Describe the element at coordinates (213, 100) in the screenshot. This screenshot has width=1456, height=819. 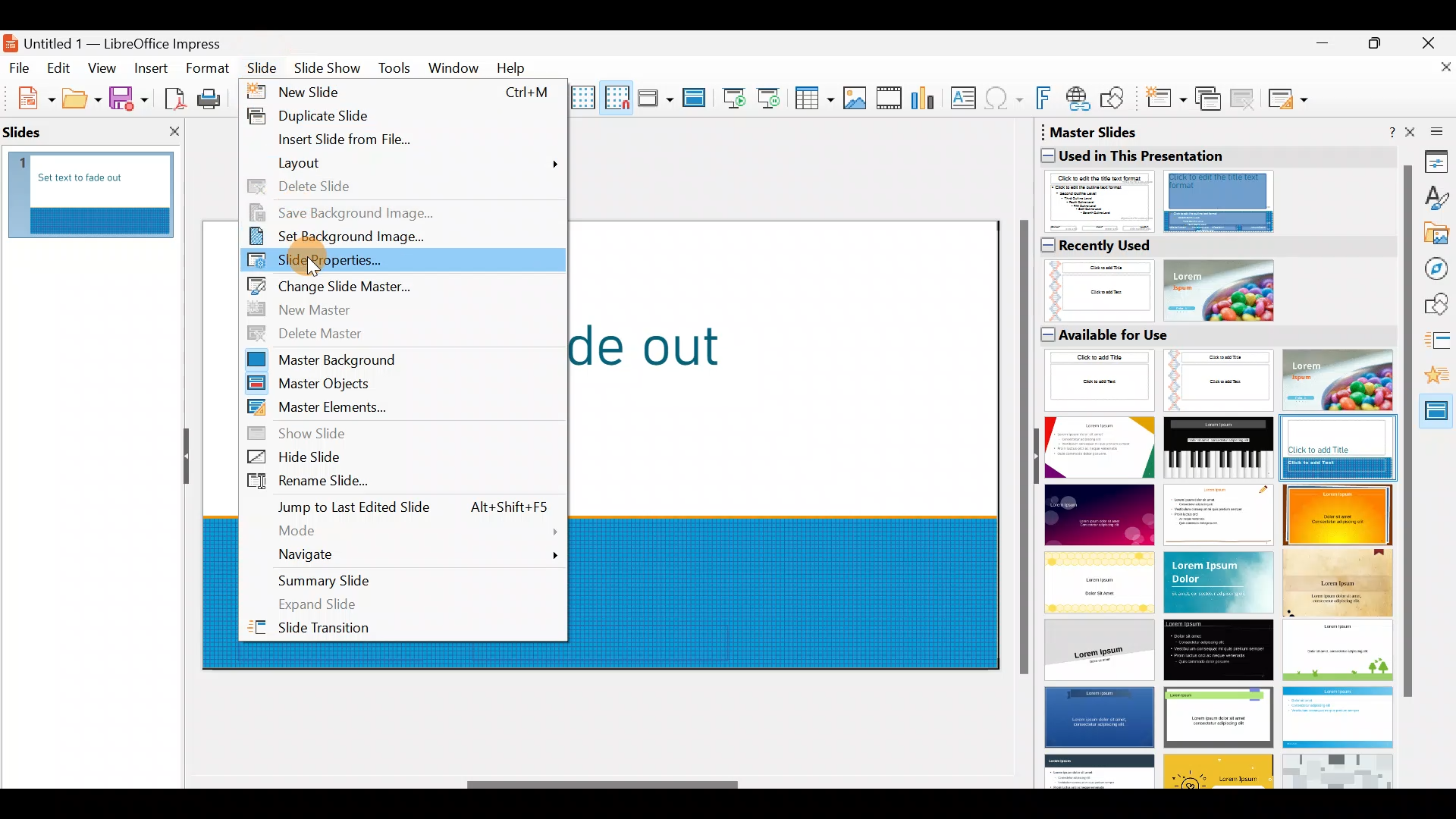
I see `Print` at that location.